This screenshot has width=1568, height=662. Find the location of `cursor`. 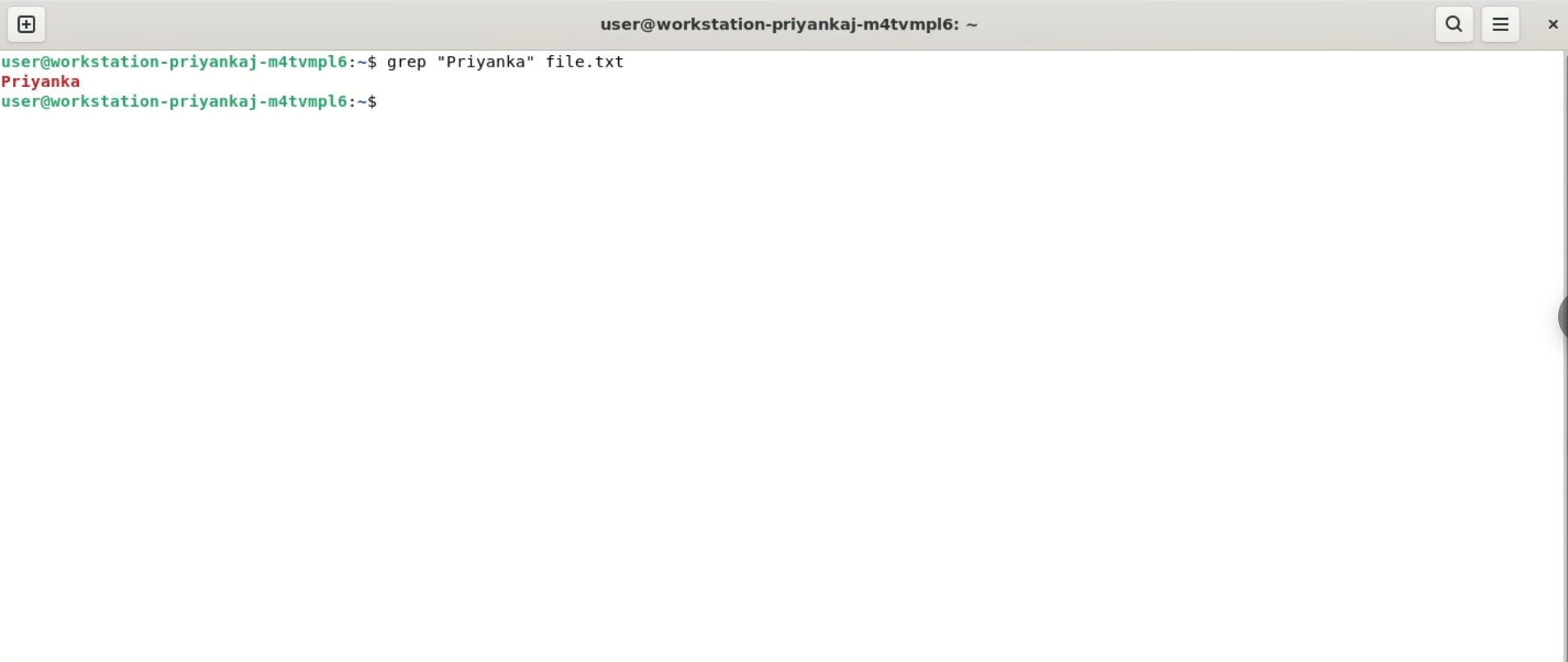

cursor is located at coordinates (394, 107).